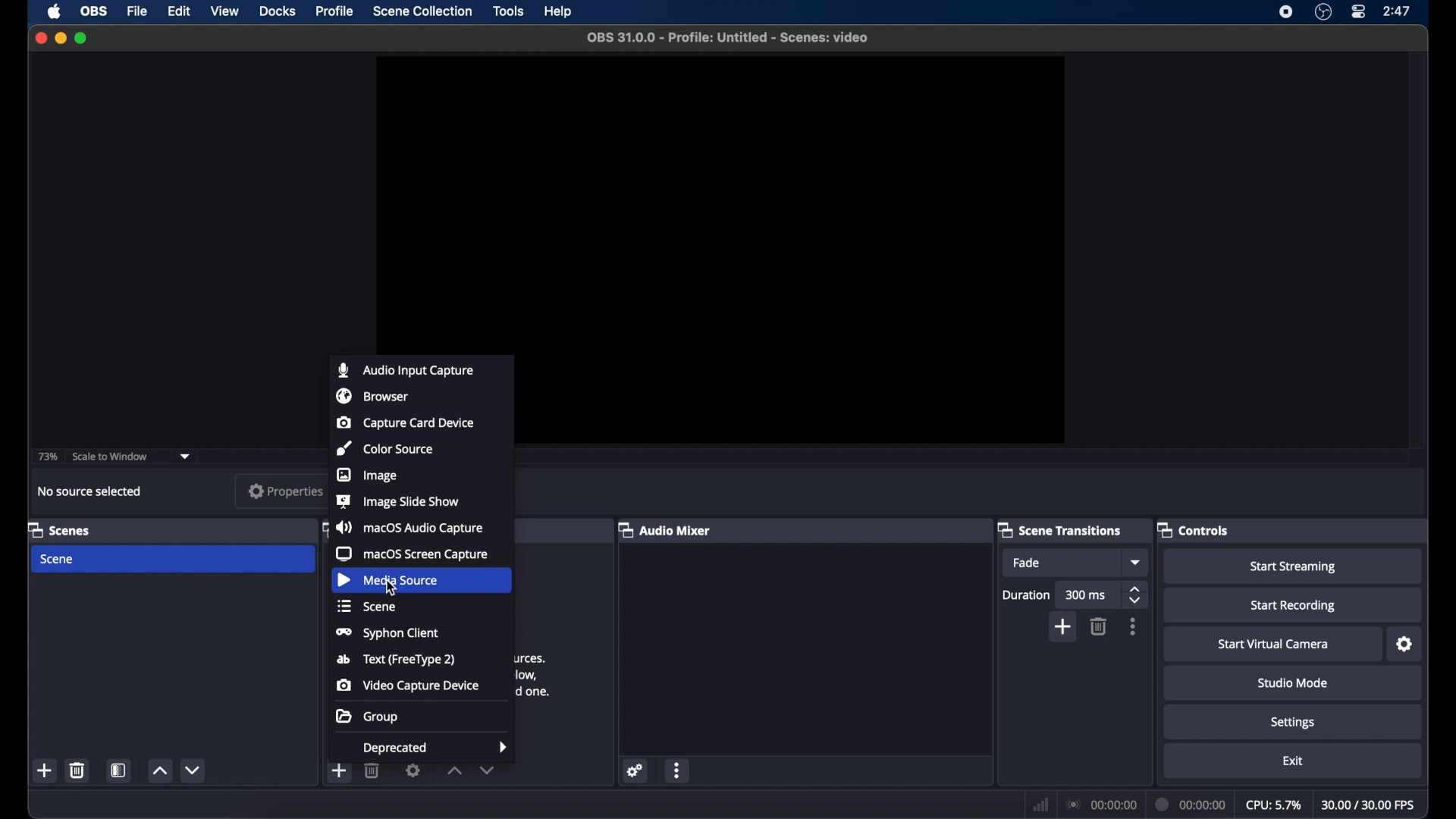 The height and width of the screenshot is (819, 1456). What do you see at coordinates (1102, 805) in the screenshot?
I see `connection` at bounding box center [1102, 805].